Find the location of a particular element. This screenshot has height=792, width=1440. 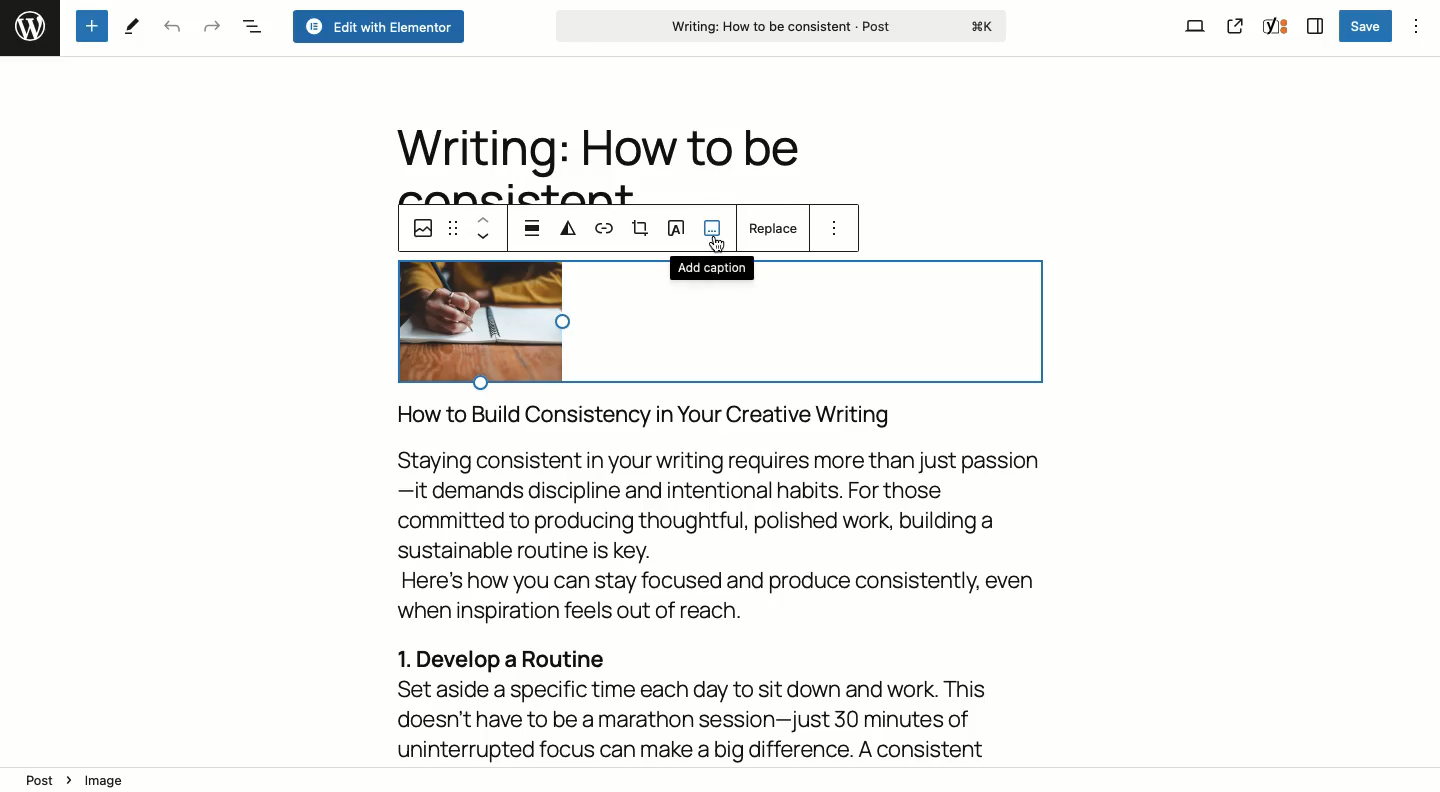

Duotone filter is located at coordinates (570, 229).